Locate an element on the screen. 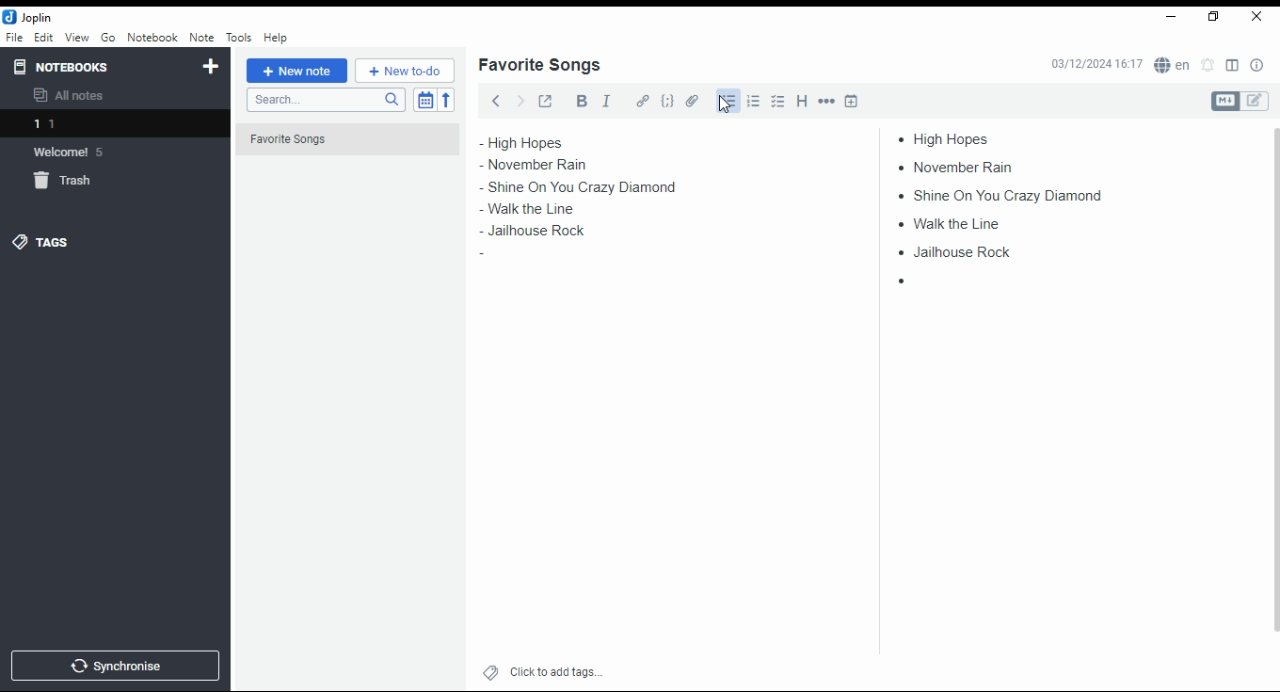 This screenshot has height=692, width=1280. reverse sort order is located at coordinates (446, 100).